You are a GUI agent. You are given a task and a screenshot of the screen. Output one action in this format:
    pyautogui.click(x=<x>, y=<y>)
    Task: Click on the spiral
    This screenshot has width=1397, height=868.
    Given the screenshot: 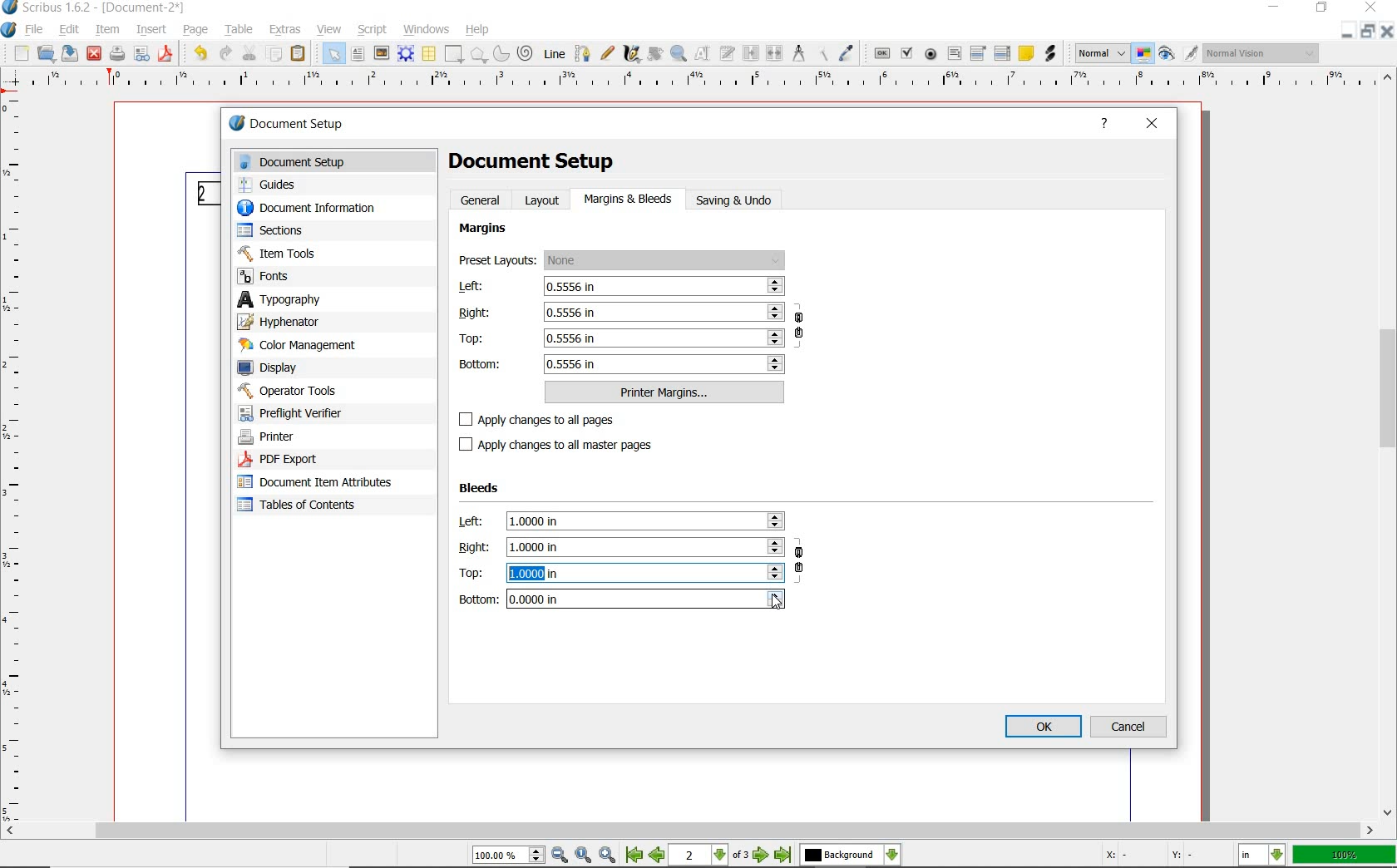 What is the action you would take?
    pyautogui.click(x=525, y=52)
    